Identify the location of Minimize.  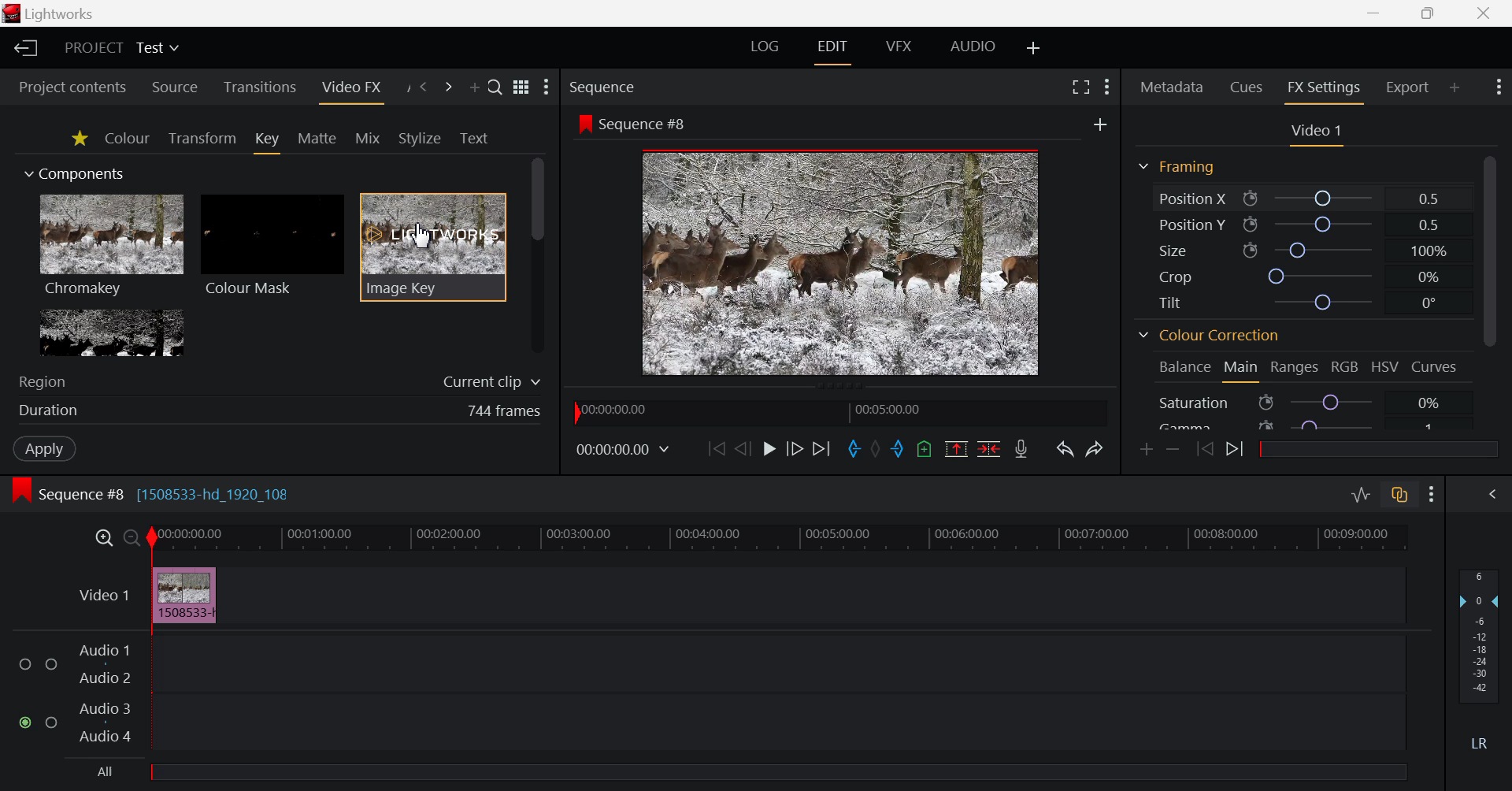
(1428, 13).